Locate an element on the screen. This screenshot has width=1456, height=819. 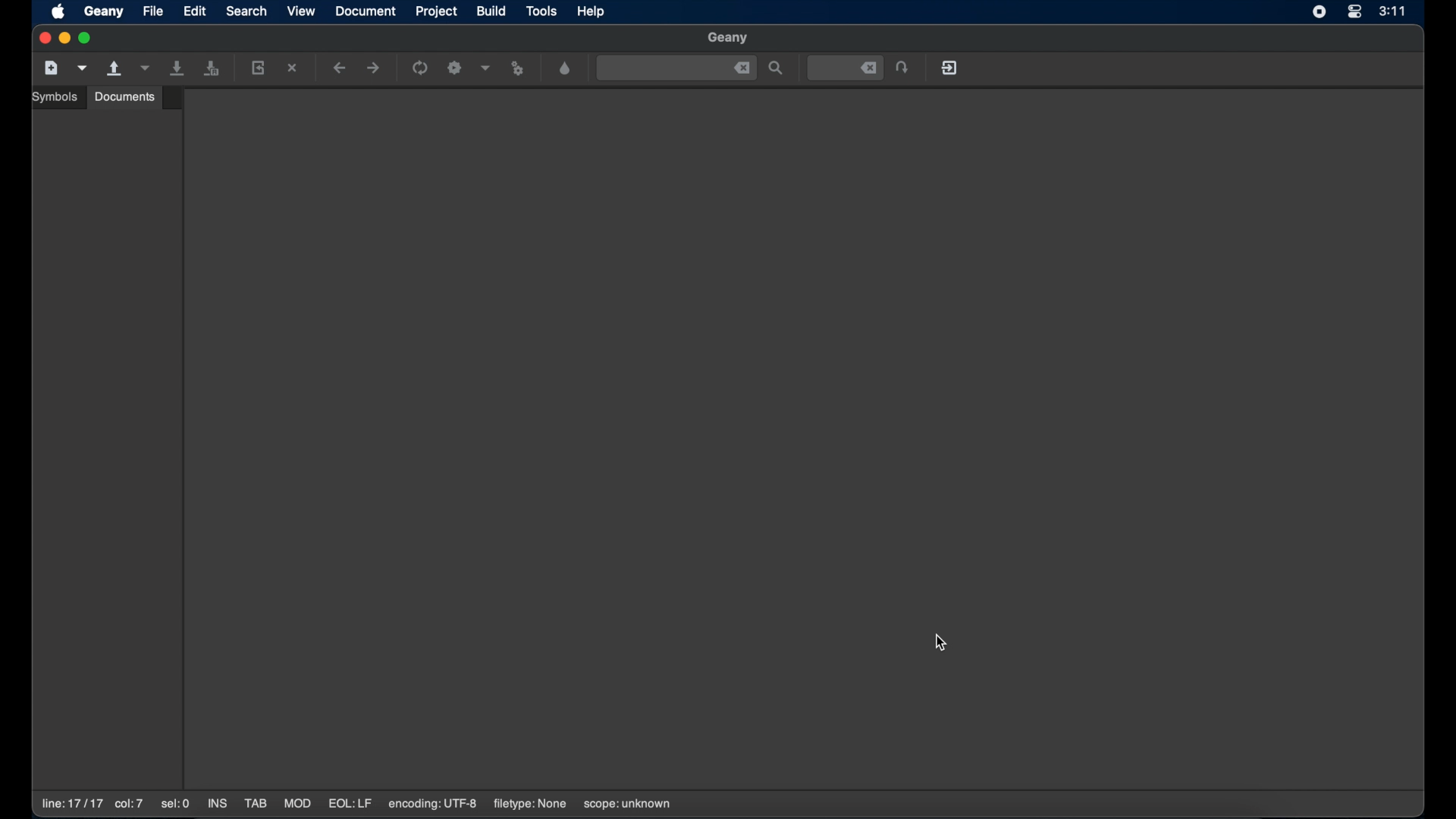
open an existing file is located at coordinates (115, 69).